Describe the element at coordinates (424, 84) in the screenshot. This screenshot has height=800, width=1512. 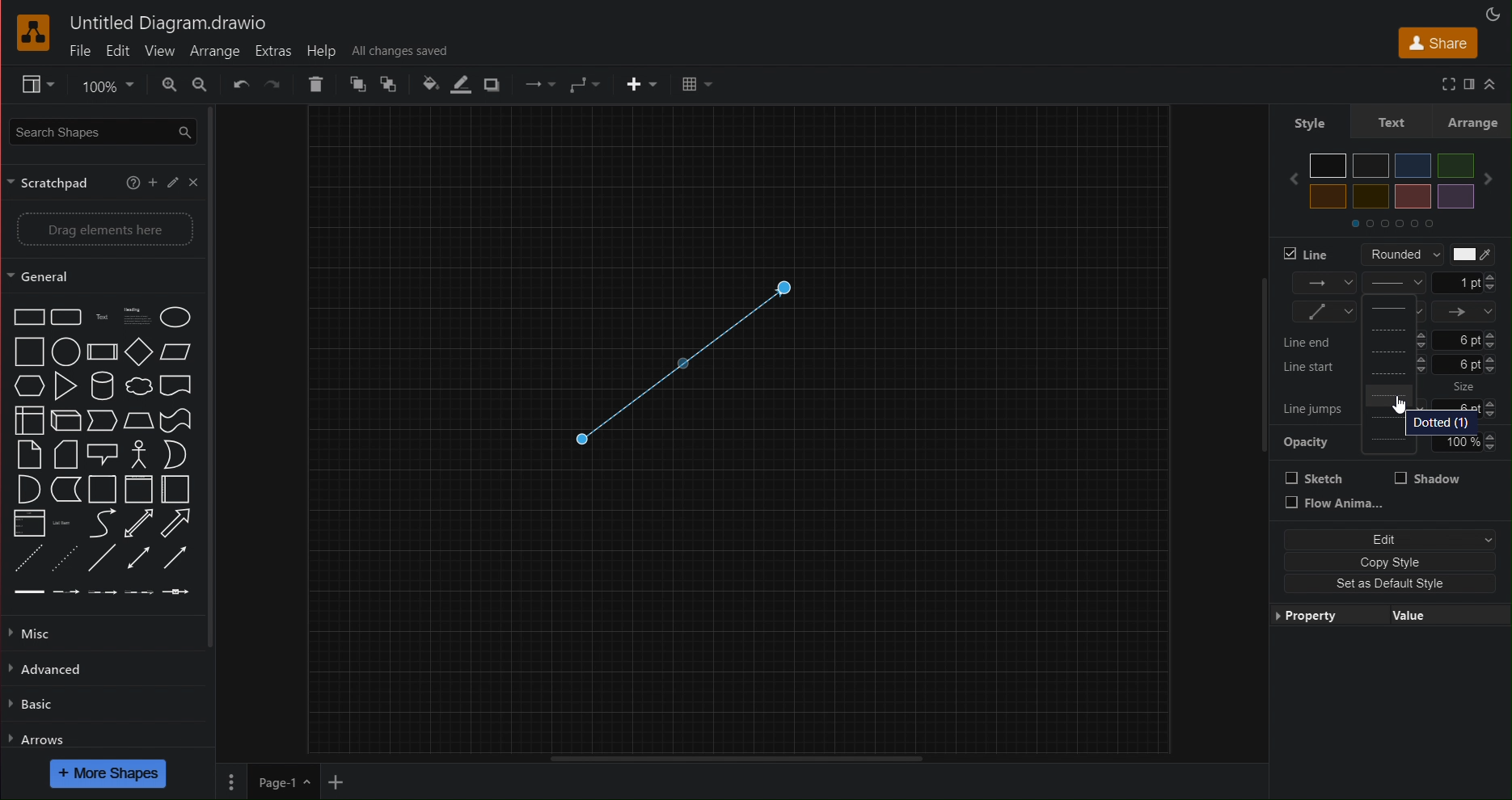
I see `Fill Color` at that location.